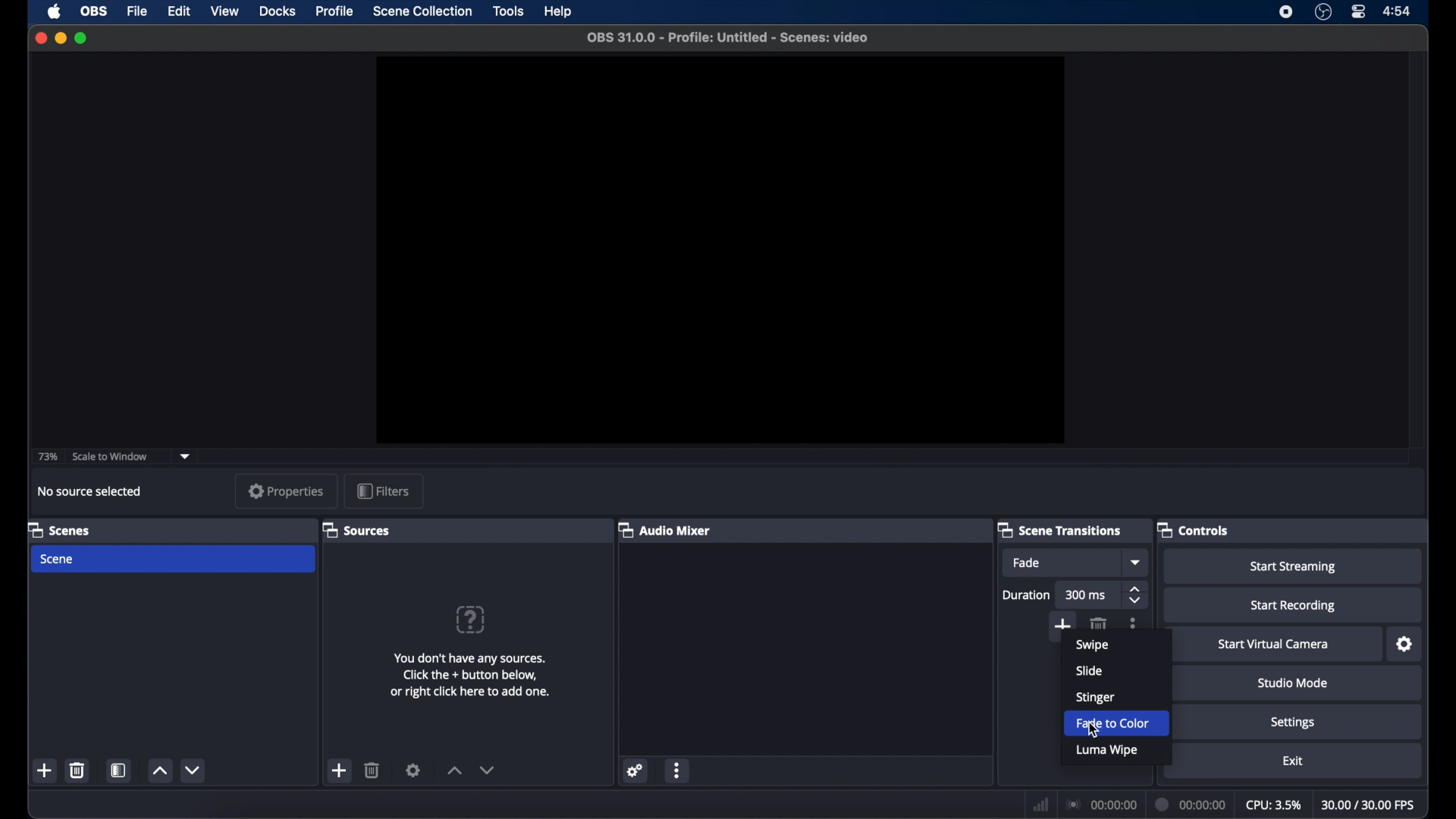 The width and height of the screenshot is (1456, 819). I want to click on view, so click(226, 11).